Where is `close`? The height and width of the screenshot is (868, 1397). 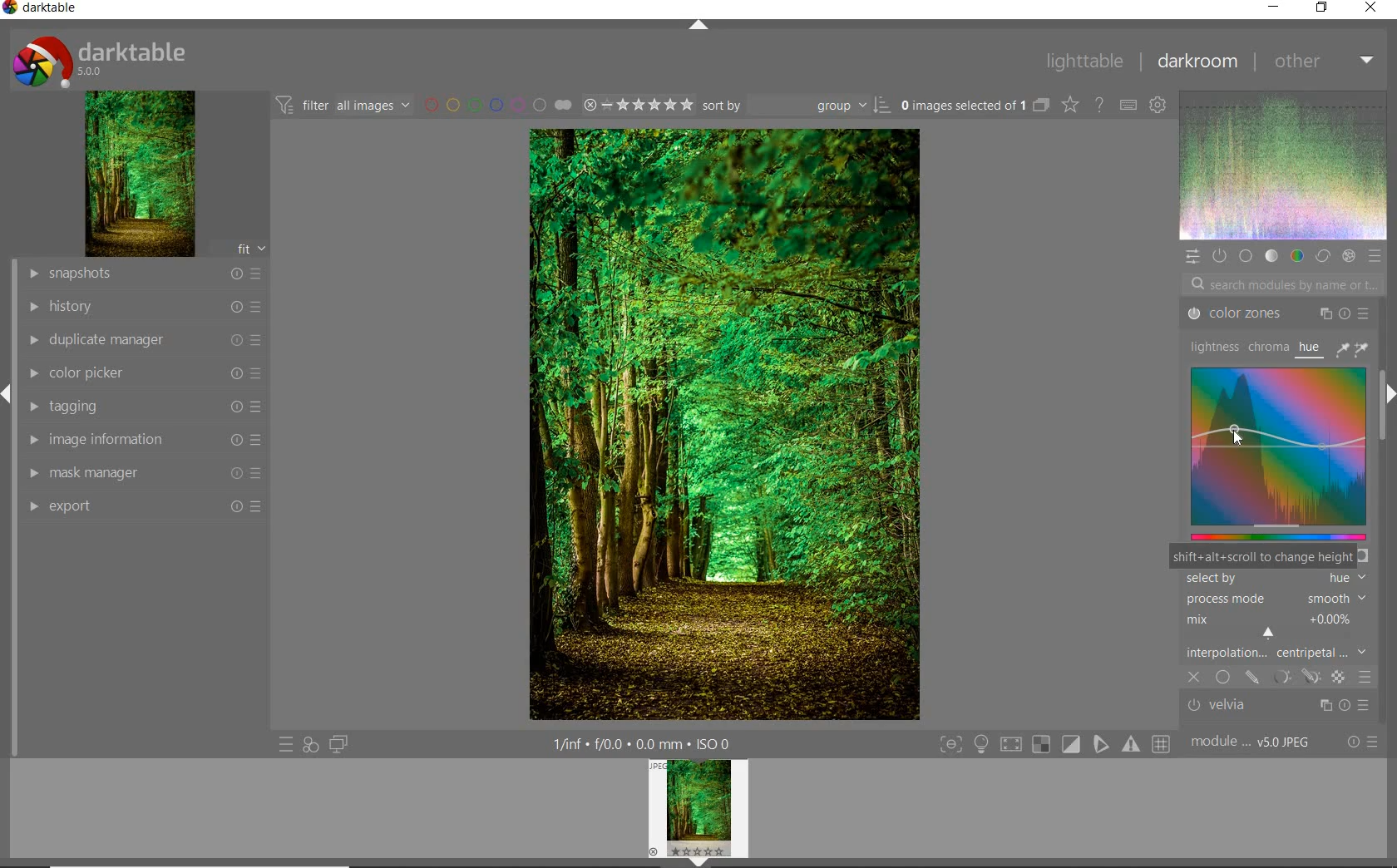
close is located at coordinates (1195, 678).